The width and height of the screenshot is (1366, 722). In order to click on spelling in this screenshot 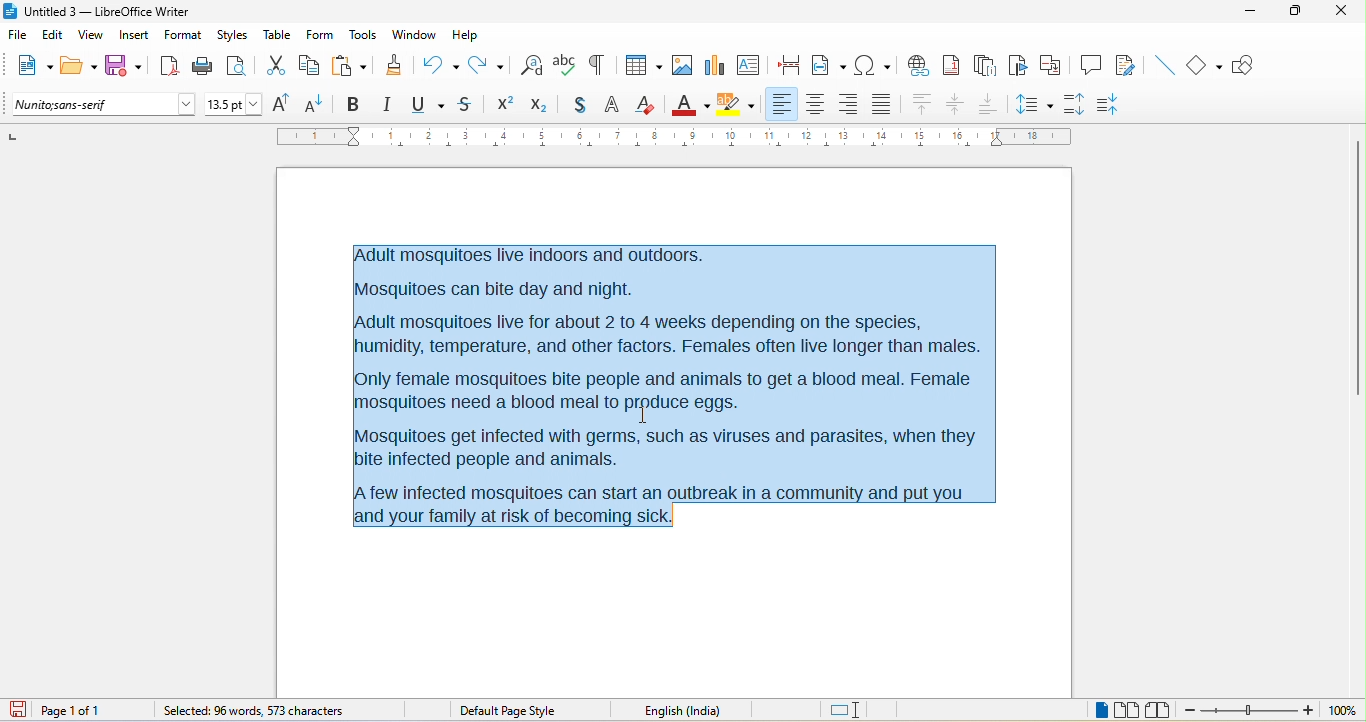, I will do `click(565, 67)`.